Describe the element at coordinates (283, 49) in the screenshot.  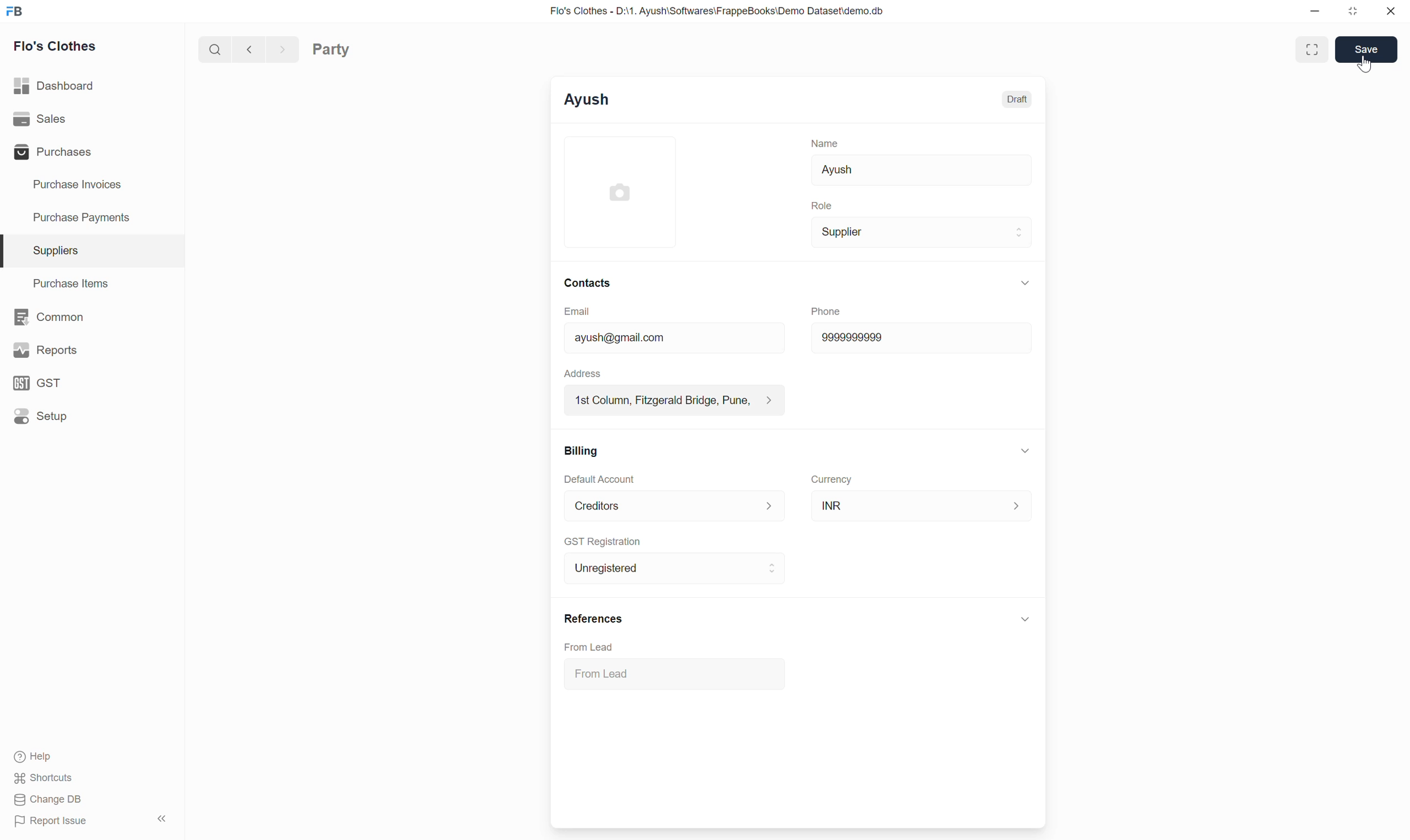
I see `Next` at that location.